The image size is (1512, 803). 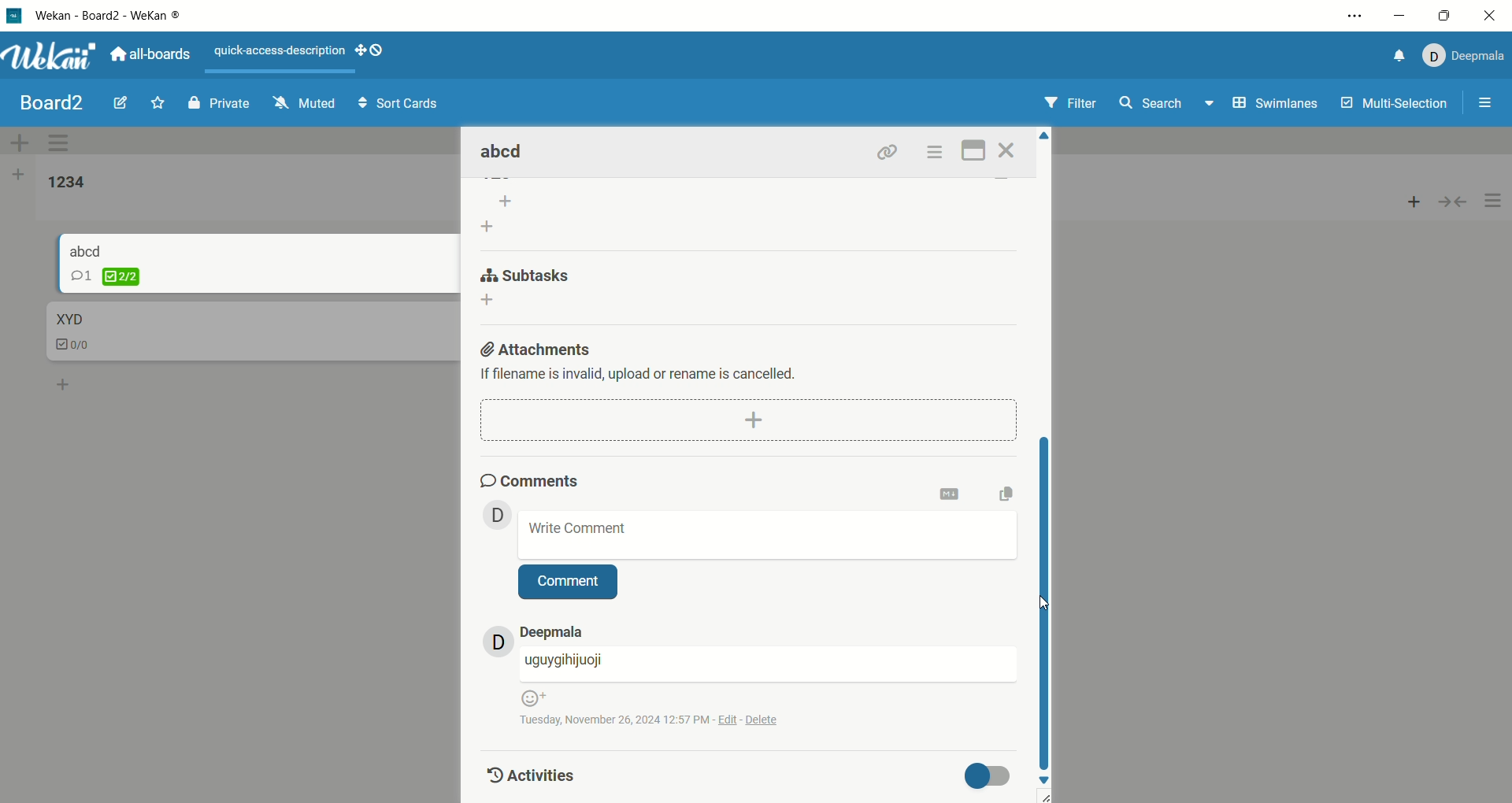 What do you see at coordinates (1010, 150) in the screenshot?
I see `close` at bounding box center [1010, 150].